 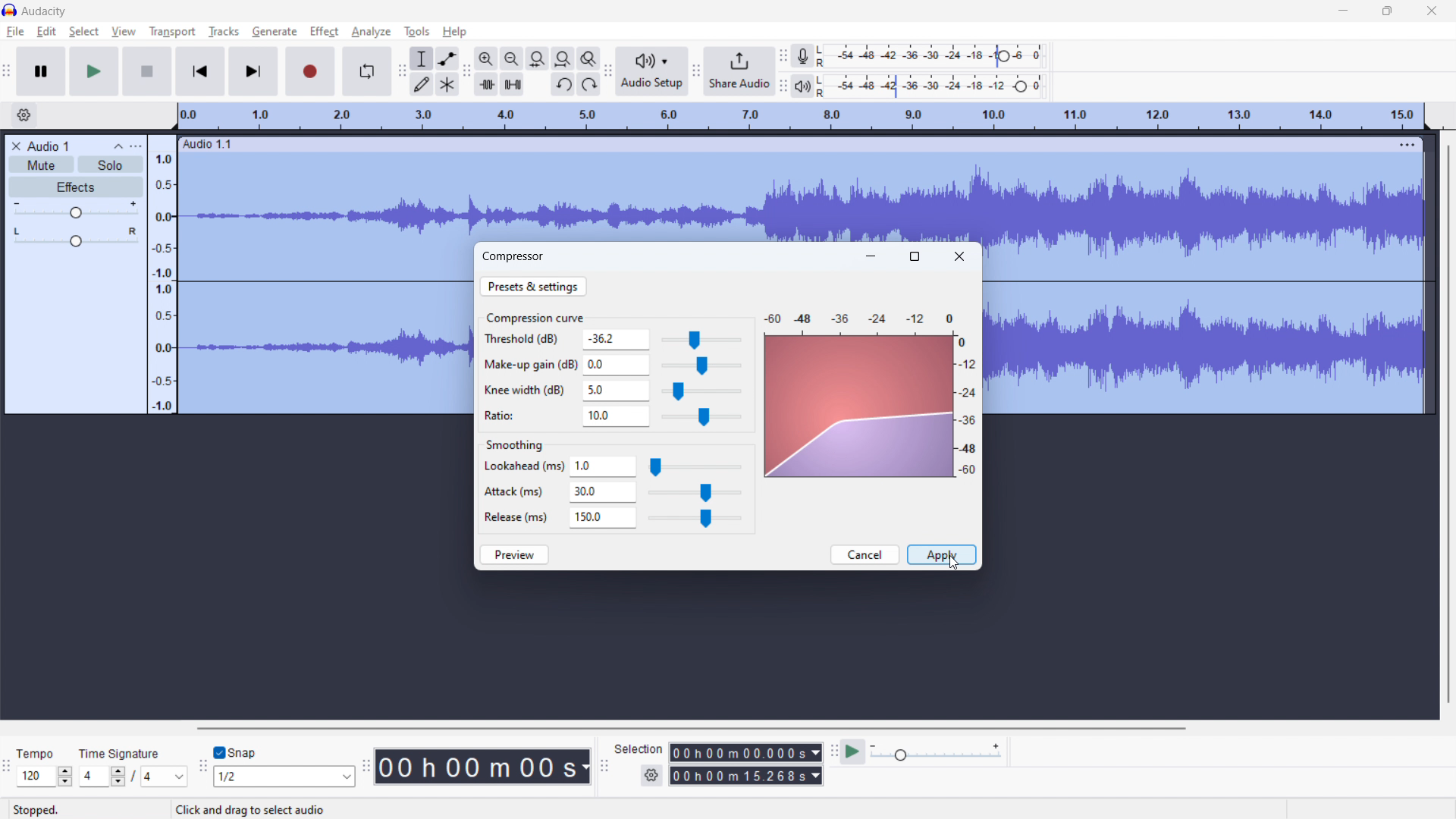 I want to click on effects, so click(x=75, y=187).